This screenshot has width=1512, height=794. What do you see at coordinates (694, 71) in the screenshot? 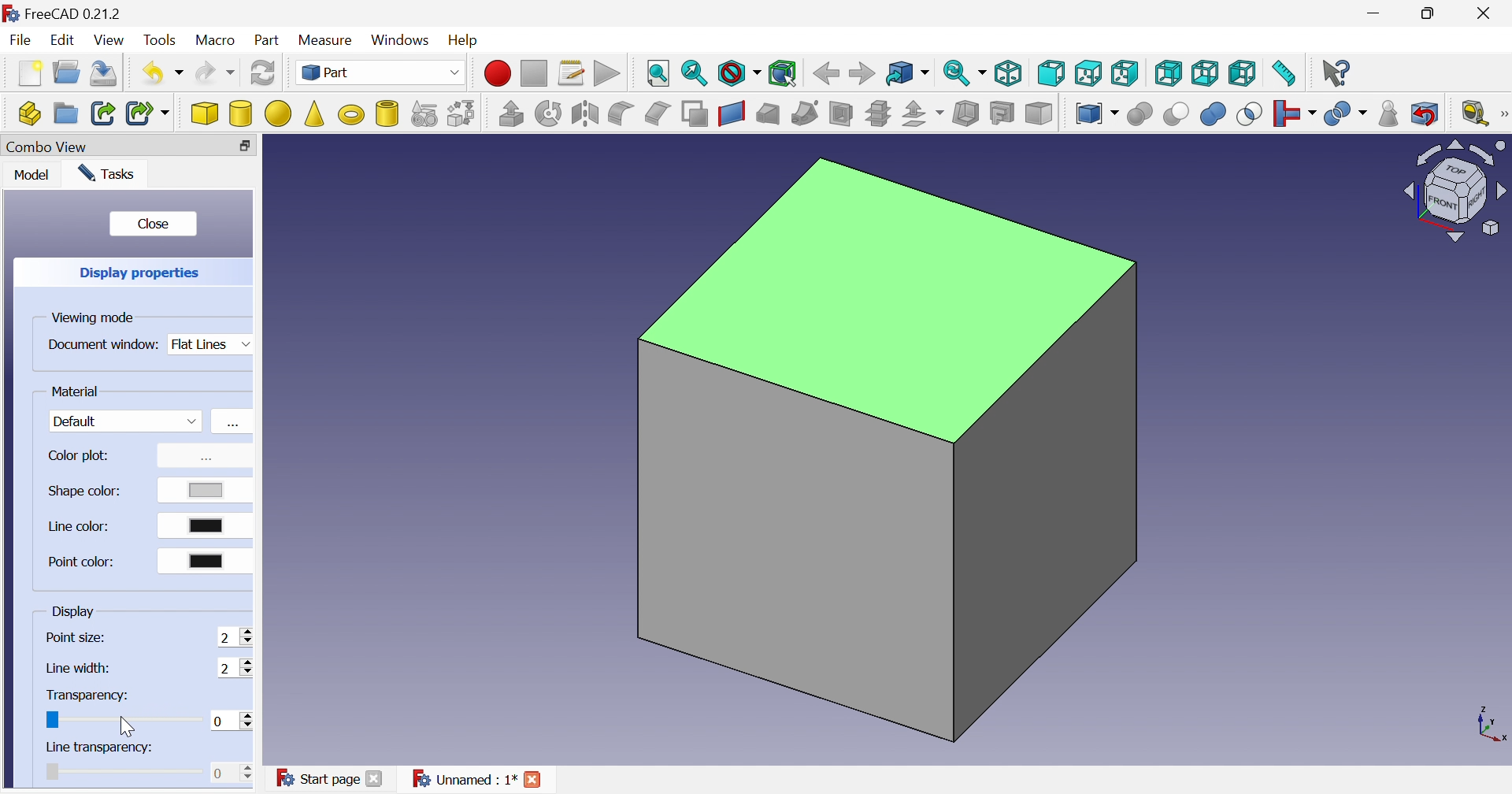
I see `Fit selection` at bounding box center [694, 71].